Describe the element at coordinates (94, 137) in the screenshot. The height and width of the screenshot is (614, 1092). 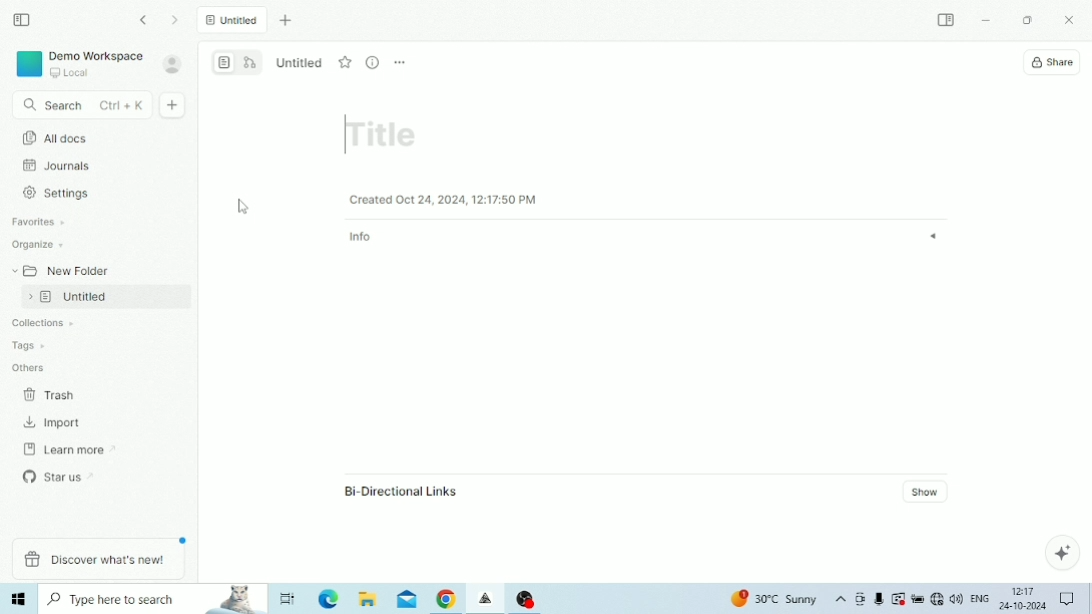
I see `All docs` at that location.